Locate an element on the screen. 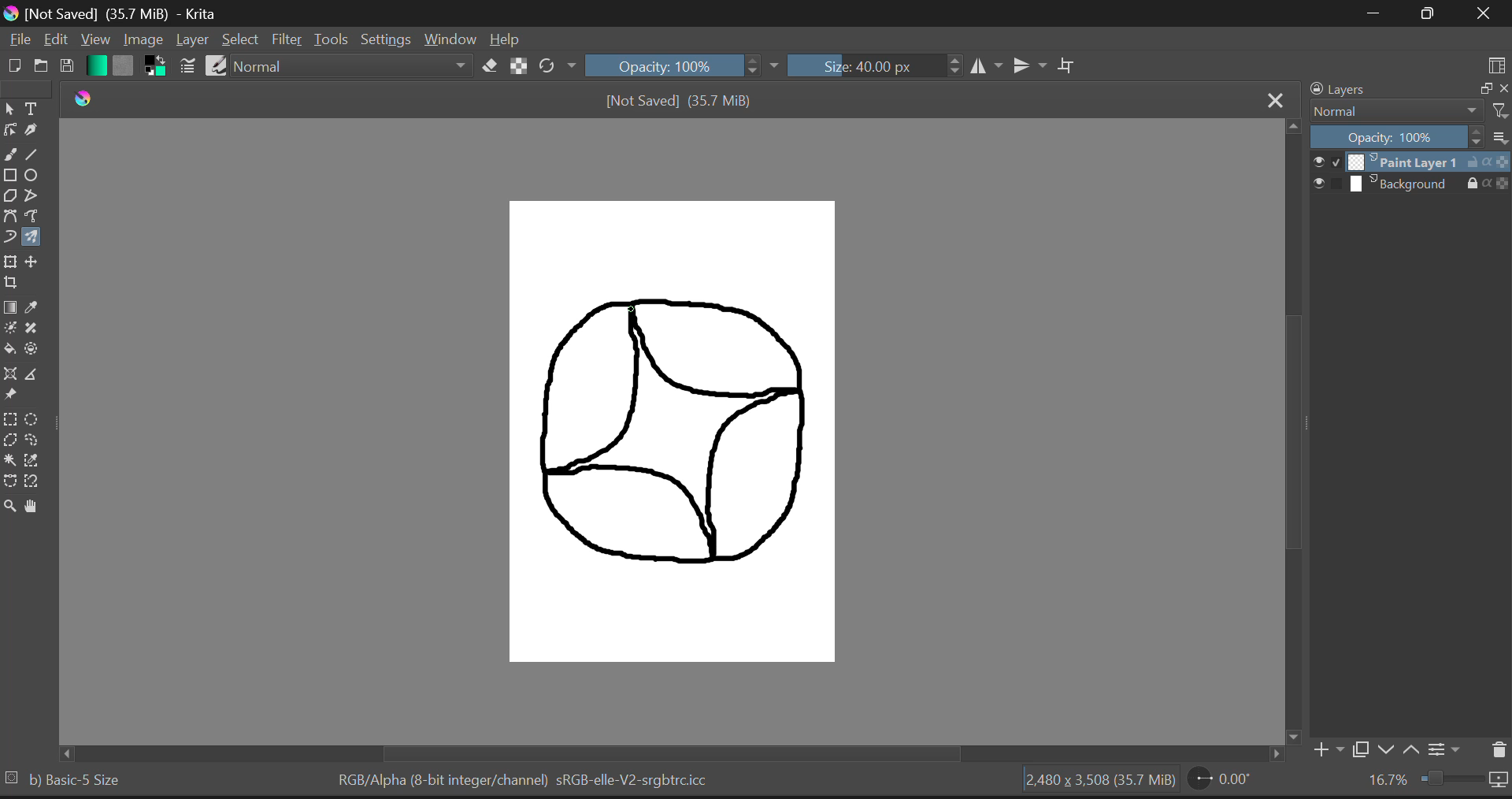 This screenshot has height=799, width=1512. Polylines is located at coordinates (32, 195).